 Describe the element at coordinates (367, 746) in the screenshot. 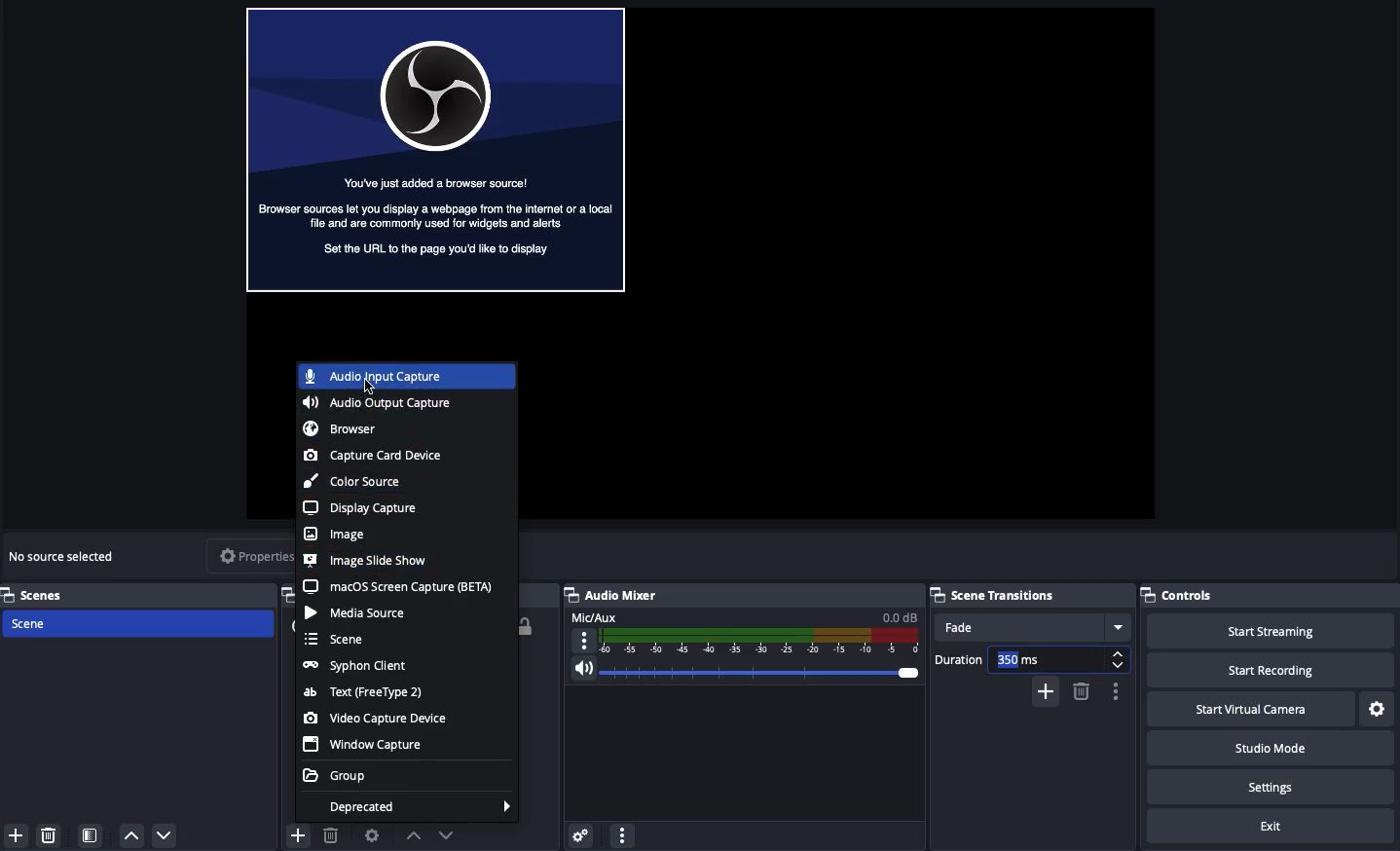

I see `Window capture` at that location.